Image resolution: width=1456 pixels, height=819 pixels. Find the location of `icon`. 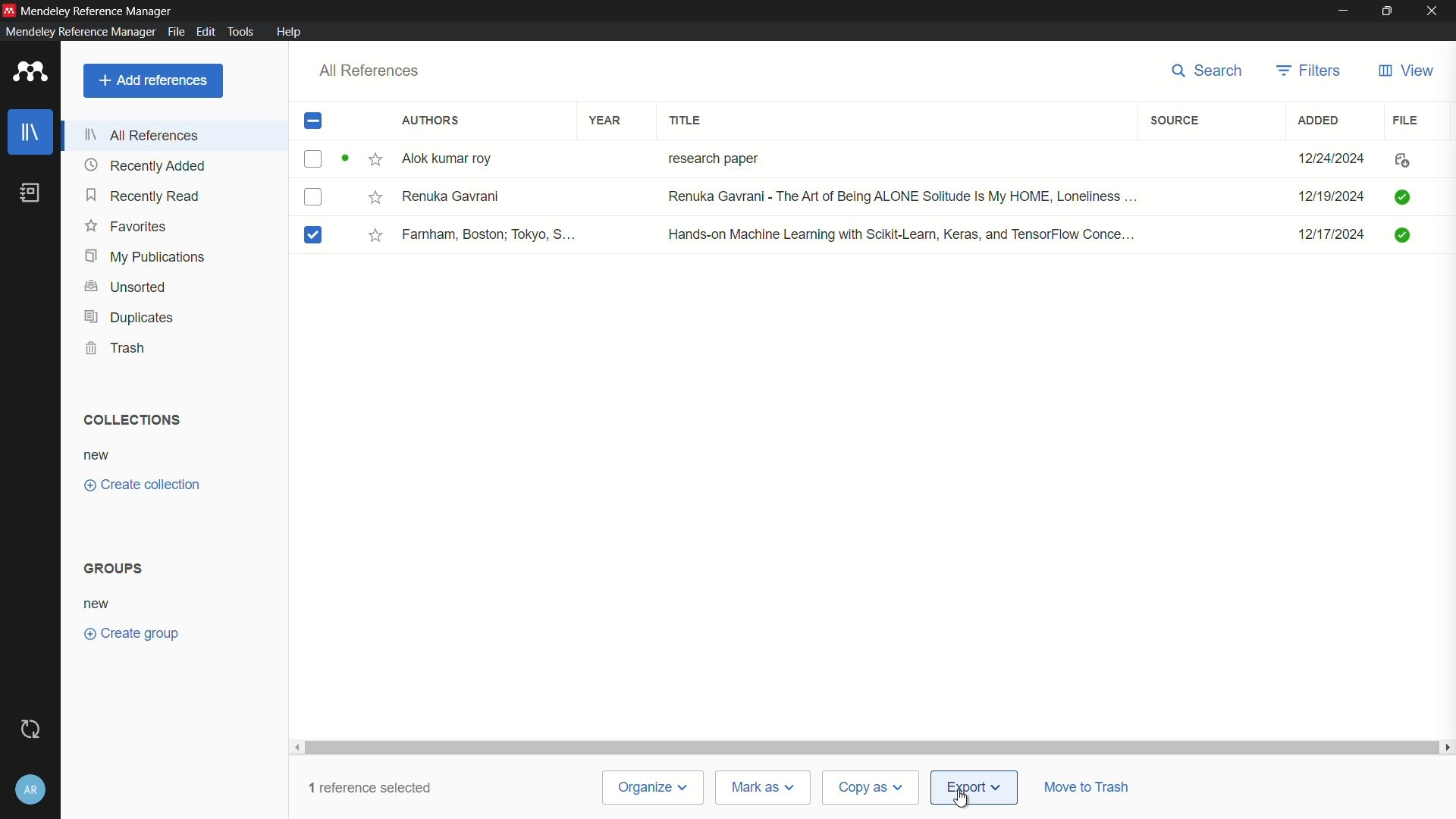

icon is located at coordinates (1401, 197).